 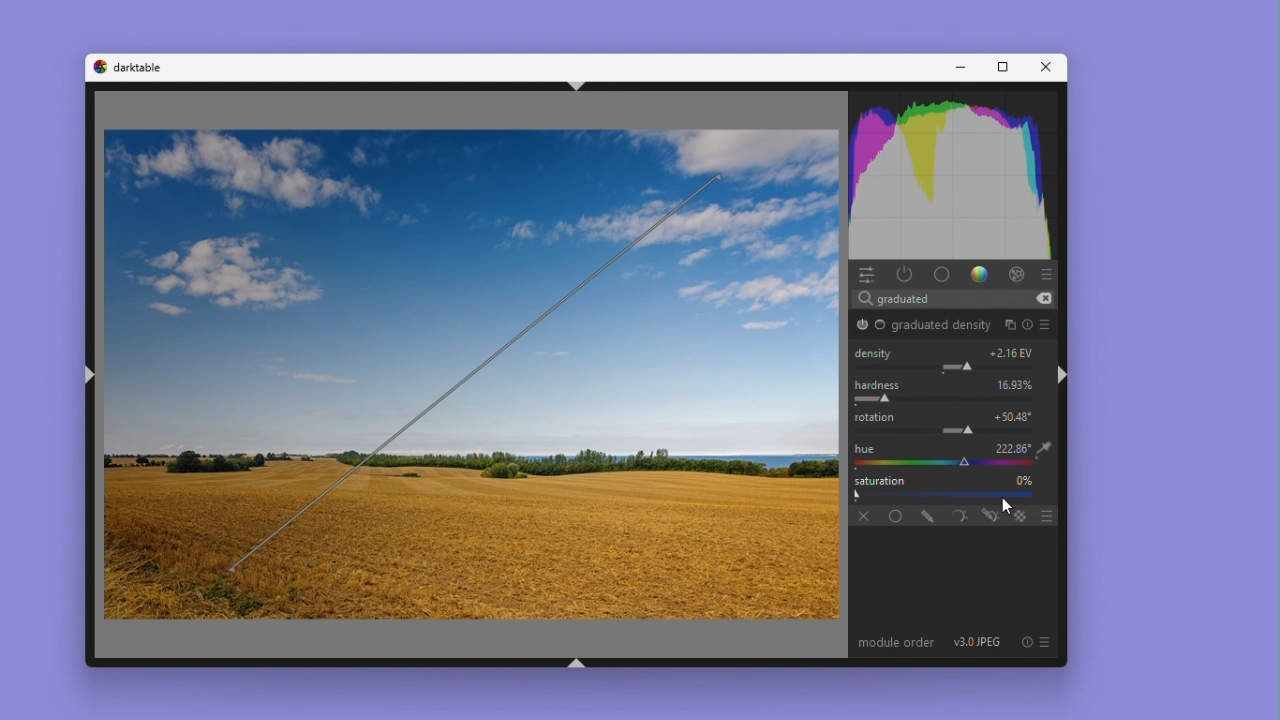 What do you see at coordinates (979, 643) in the screenshot?
I see `v3.0 JPEG` at bounding box center [979, 643].